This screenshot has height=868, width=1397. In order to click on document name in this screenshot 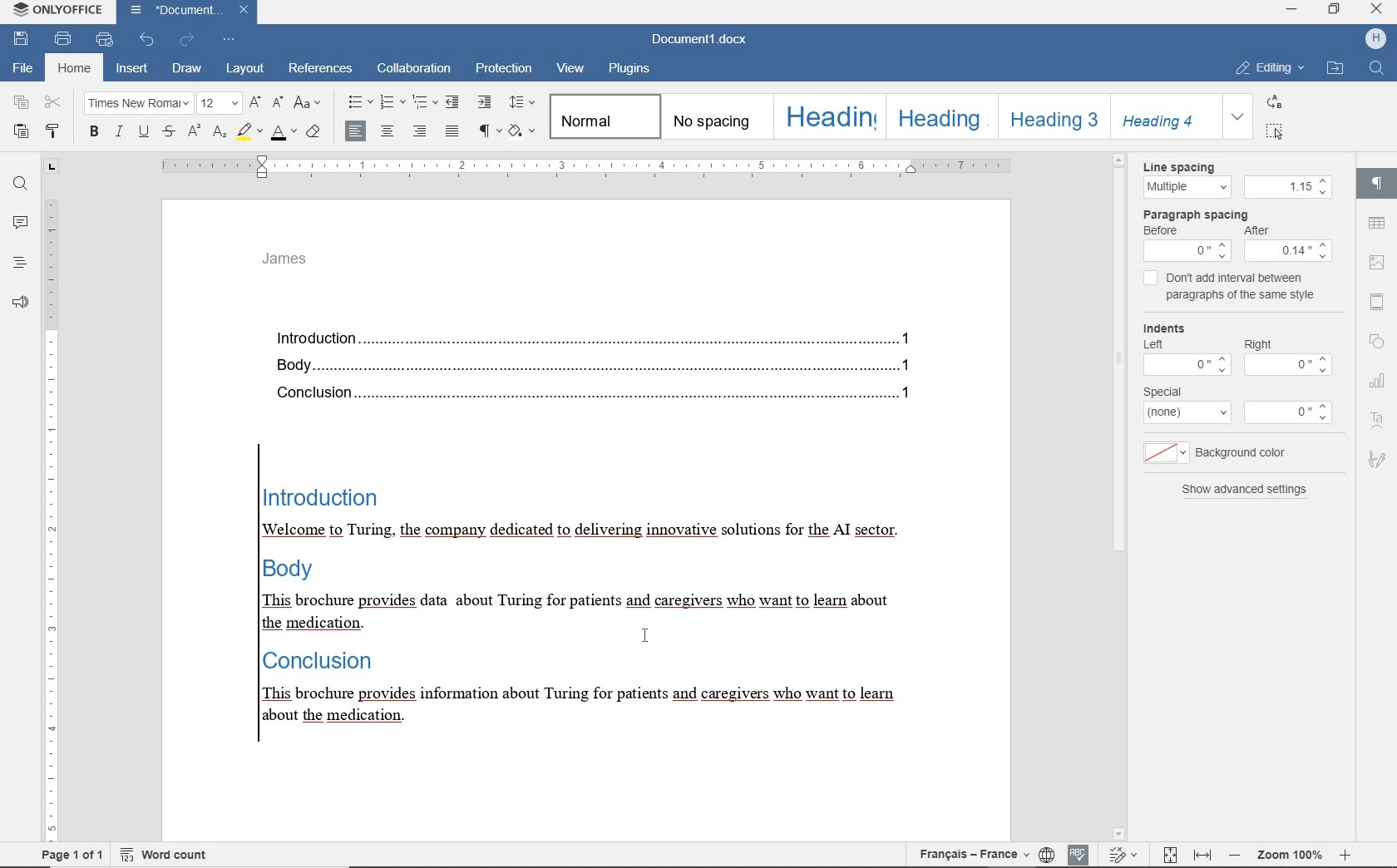, I will do `click(700, 40)`.